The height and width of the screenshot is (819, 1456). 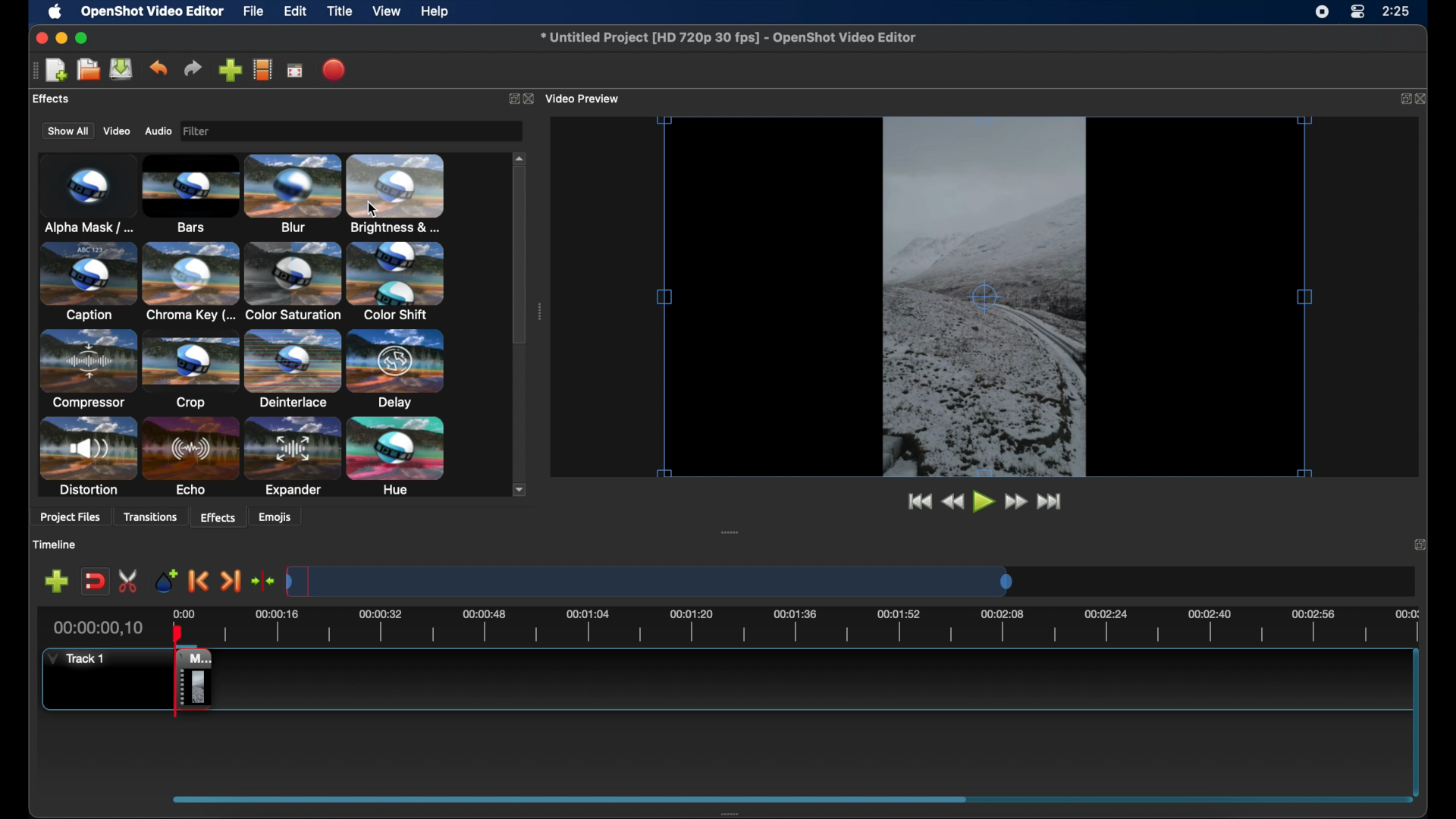 What do you see at coordinates (1015, 502) in the screenshot?
I see `fast for` at bounding box center [1015, 502].